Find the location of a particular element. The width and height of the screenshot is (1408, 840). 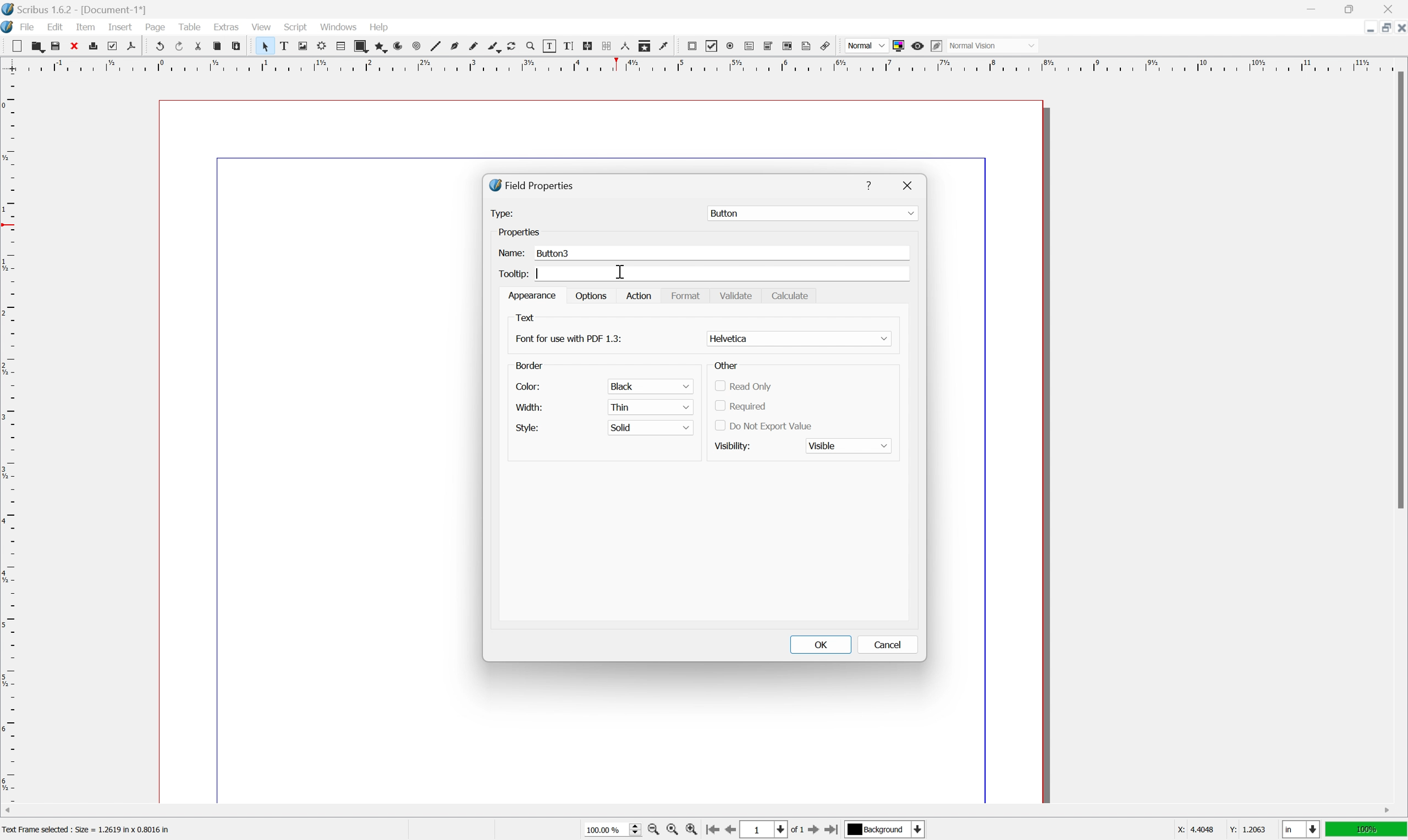

OK is located at coordinates (823, 643).